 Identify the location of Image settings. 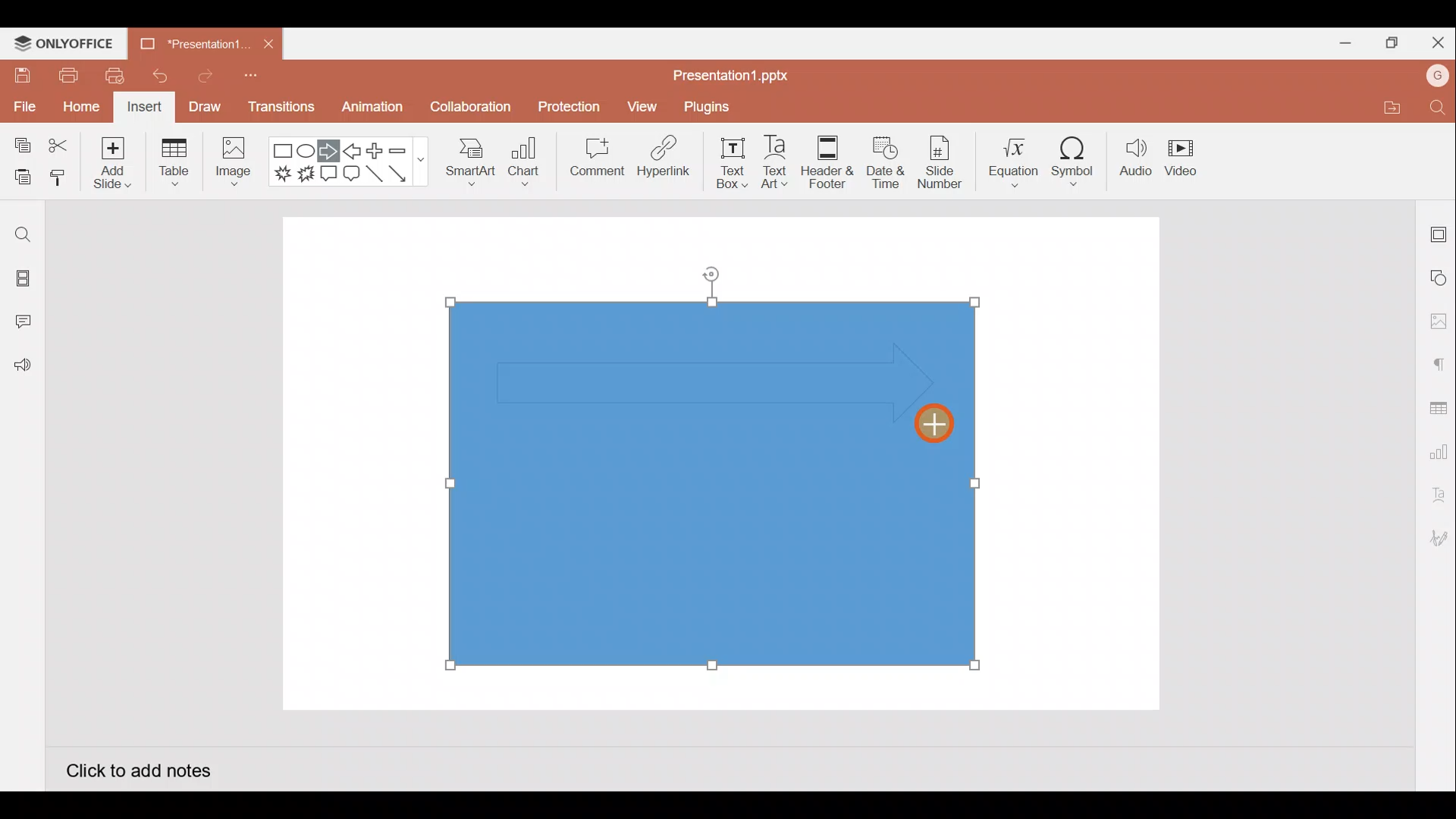
(1439, 322).